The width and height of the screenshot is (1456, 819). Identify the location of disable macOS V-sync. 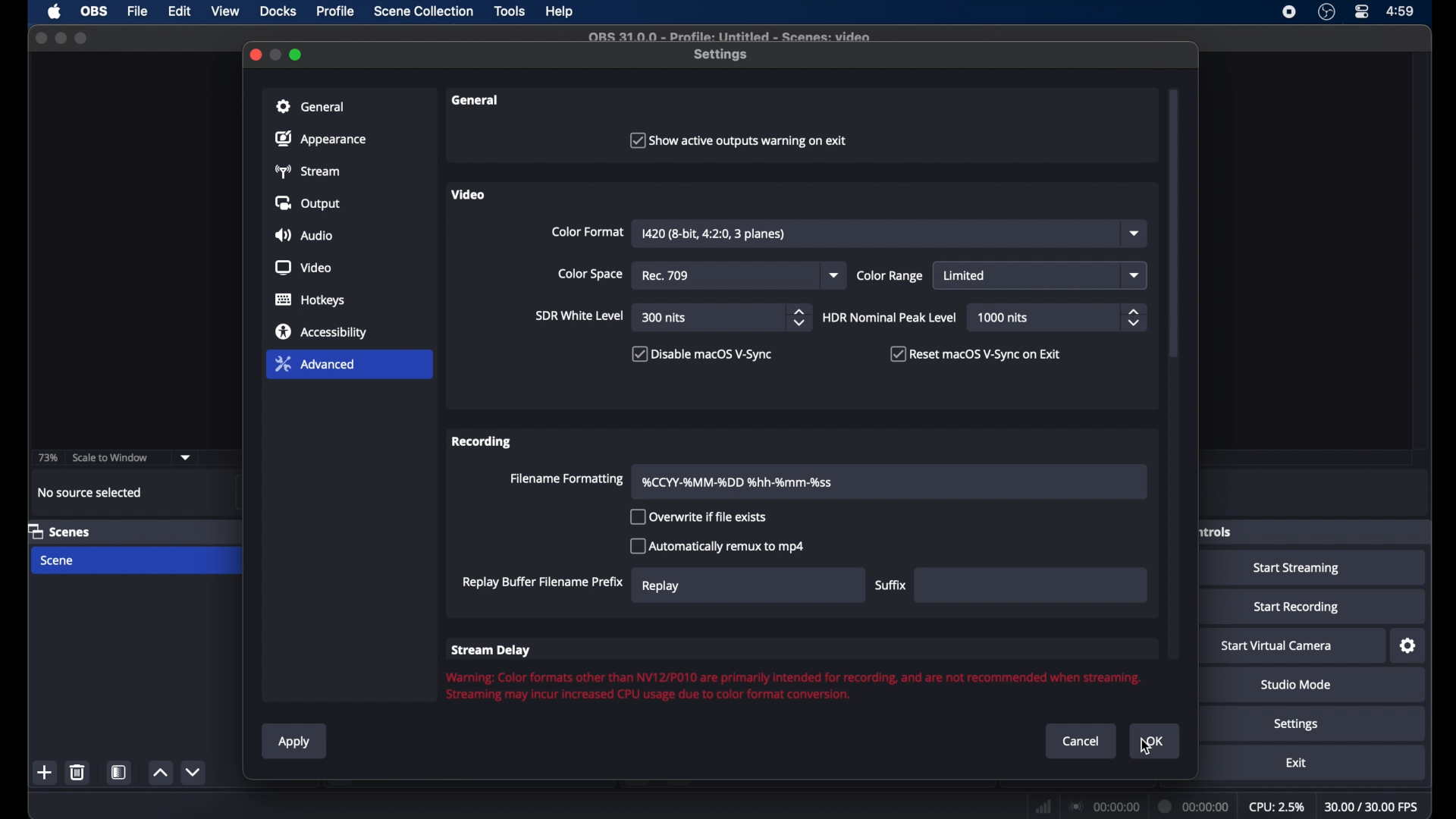
(700, 354).